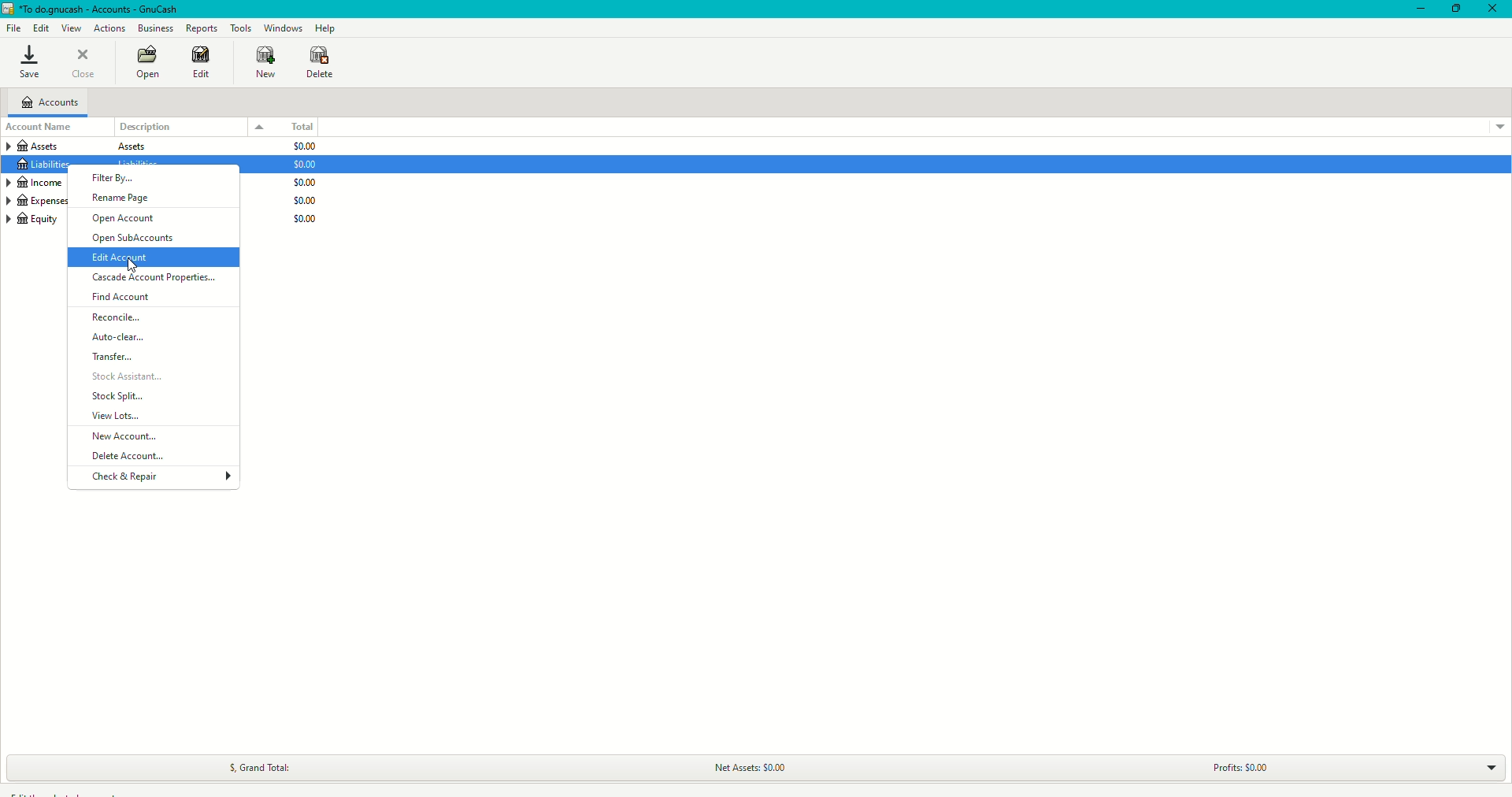  What do you see at coordinates (129, 456) in the screenshot?
I see `Delete Account` at bounding box center [129, 456].